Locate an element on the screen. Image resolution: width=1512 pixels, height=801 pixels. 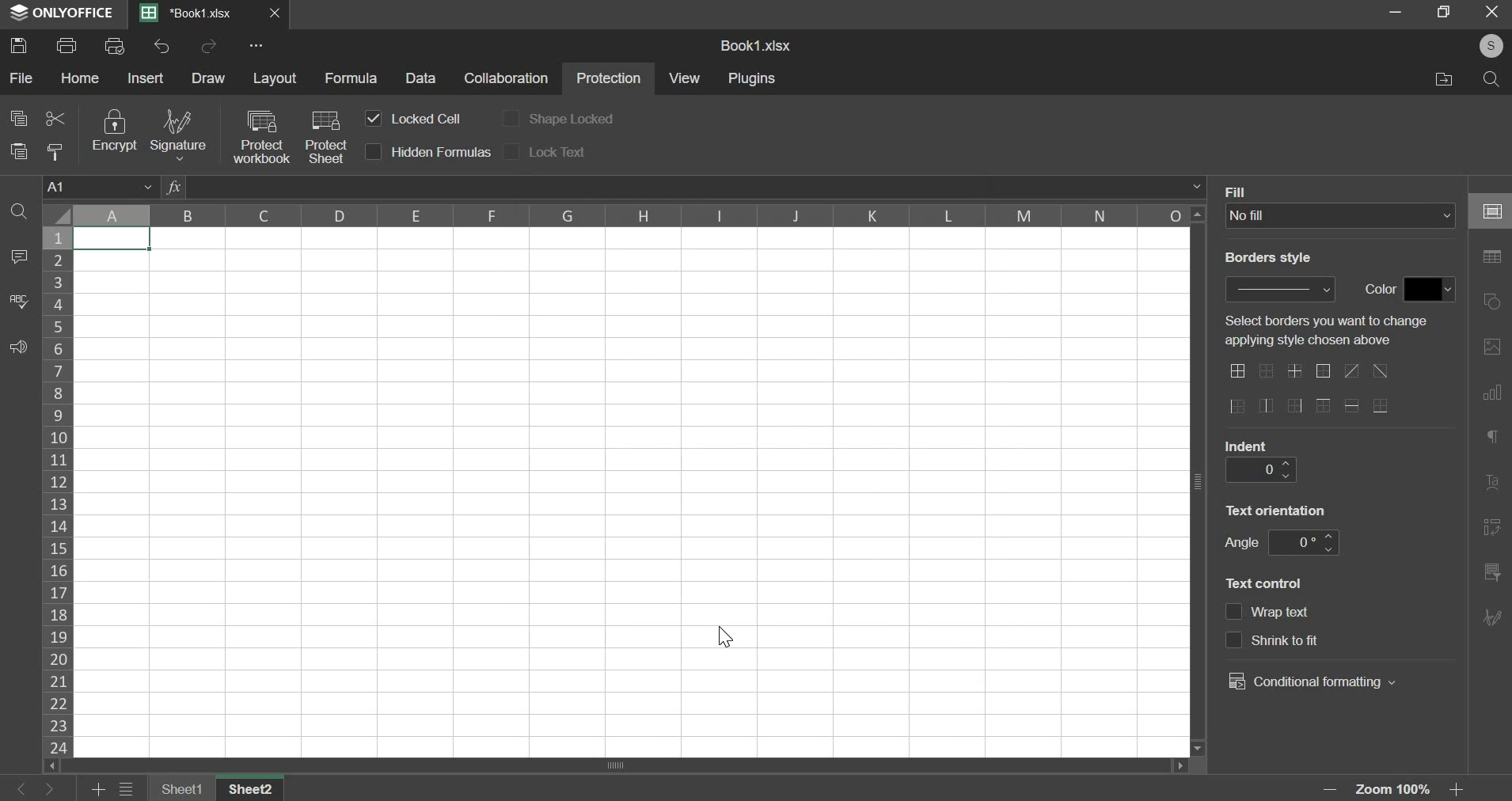
sheet is located at coordinates (255, 788).